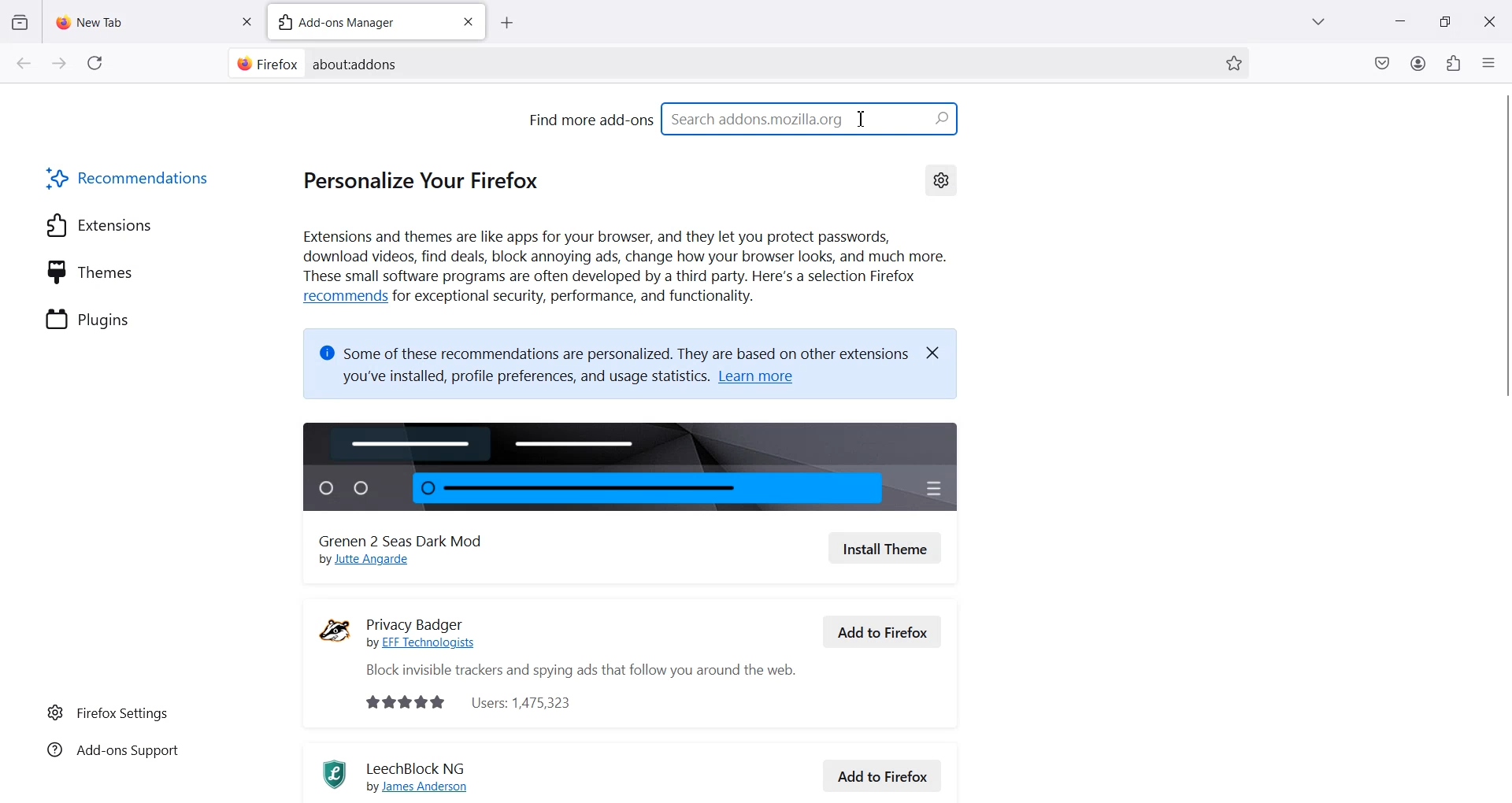 Image resolution: width=1512 pixels, height=803 pixels. What do you see at coordinates (812, 117) in the screenshot?
I see `search addons.mozilla.org` at bounding box center [812, 117].